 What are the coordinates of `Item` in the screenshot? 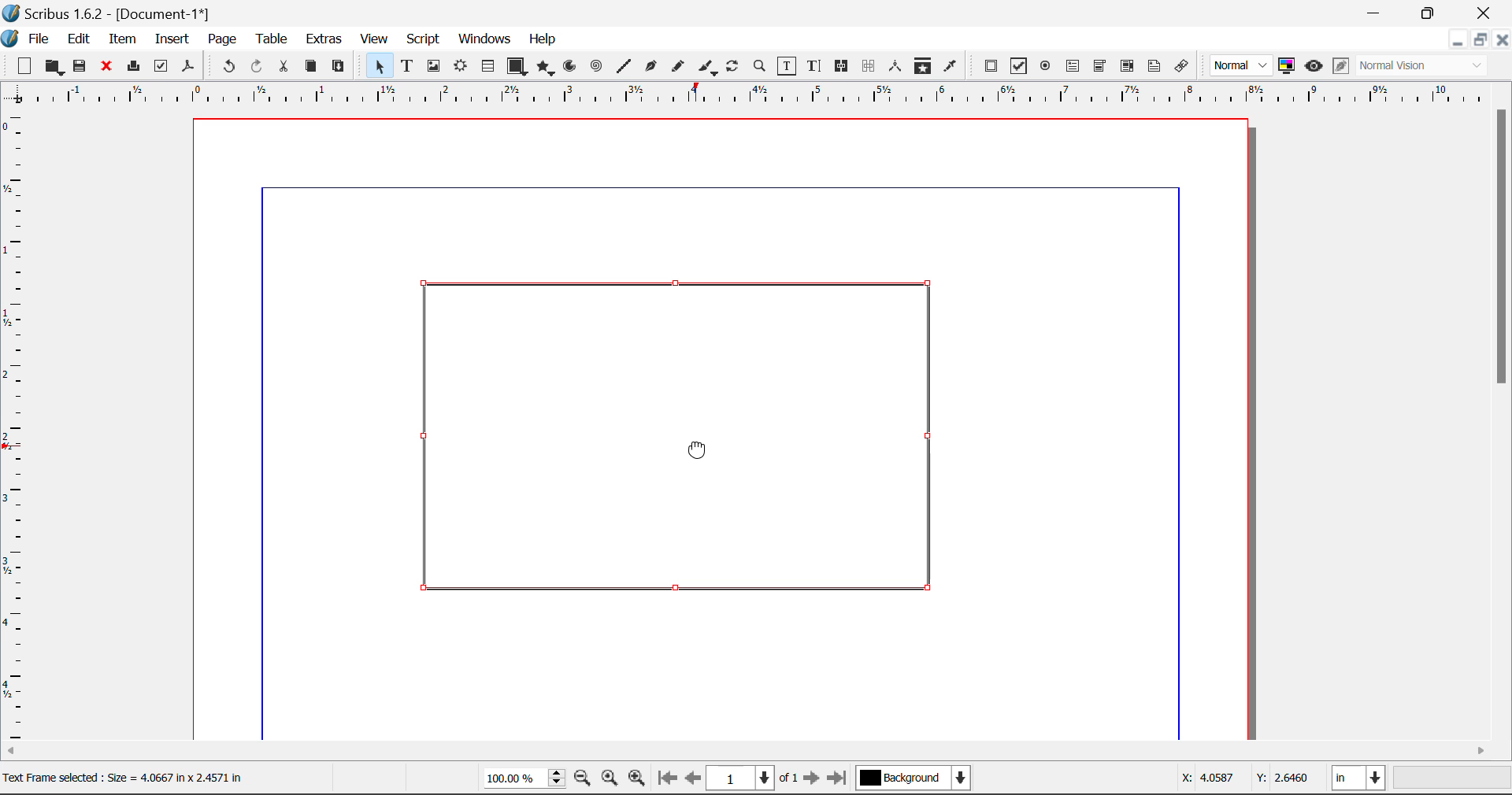 It's located at (120, 37).